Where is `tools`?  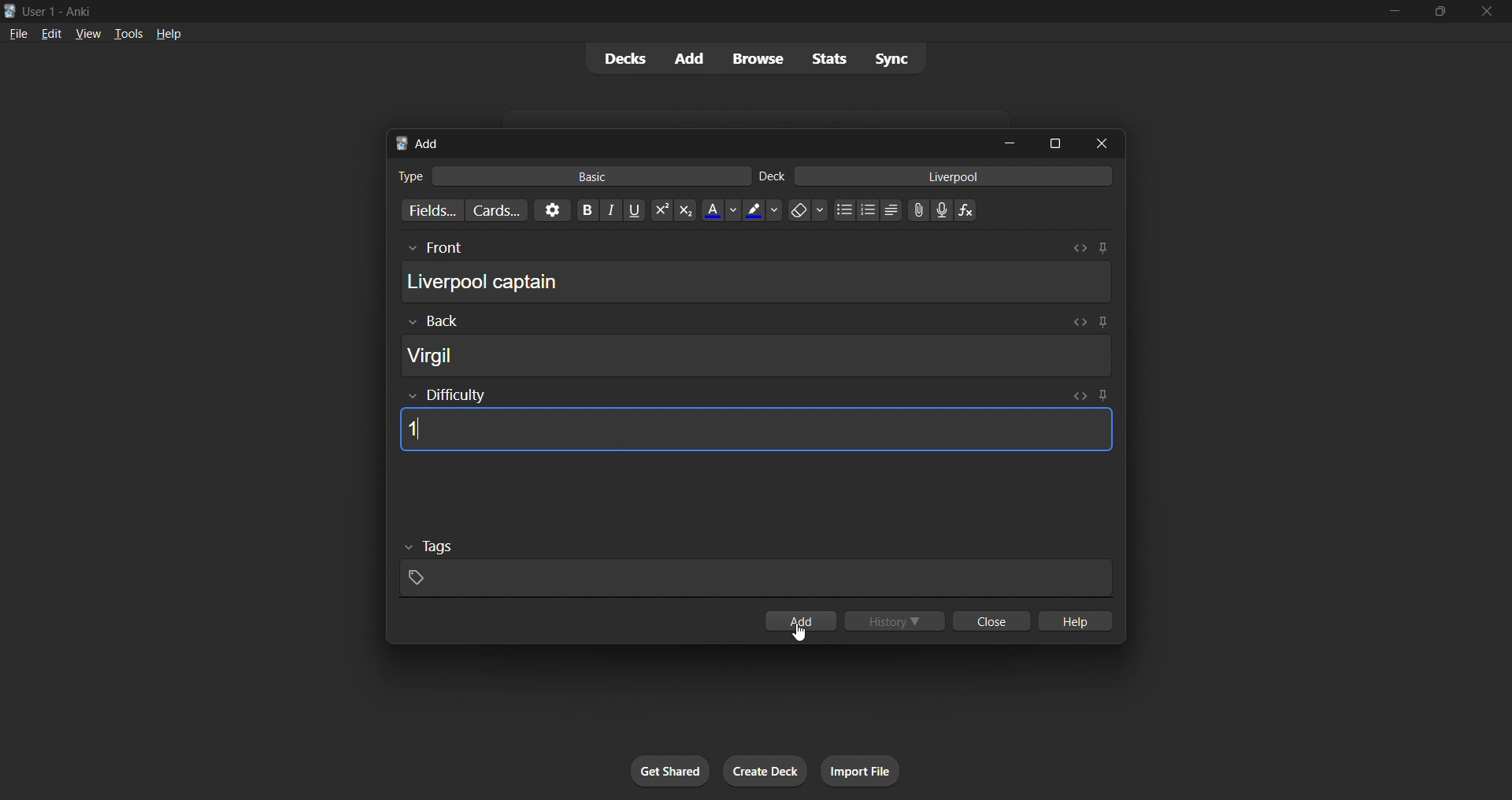 tools is located at coordinates (127, 33).